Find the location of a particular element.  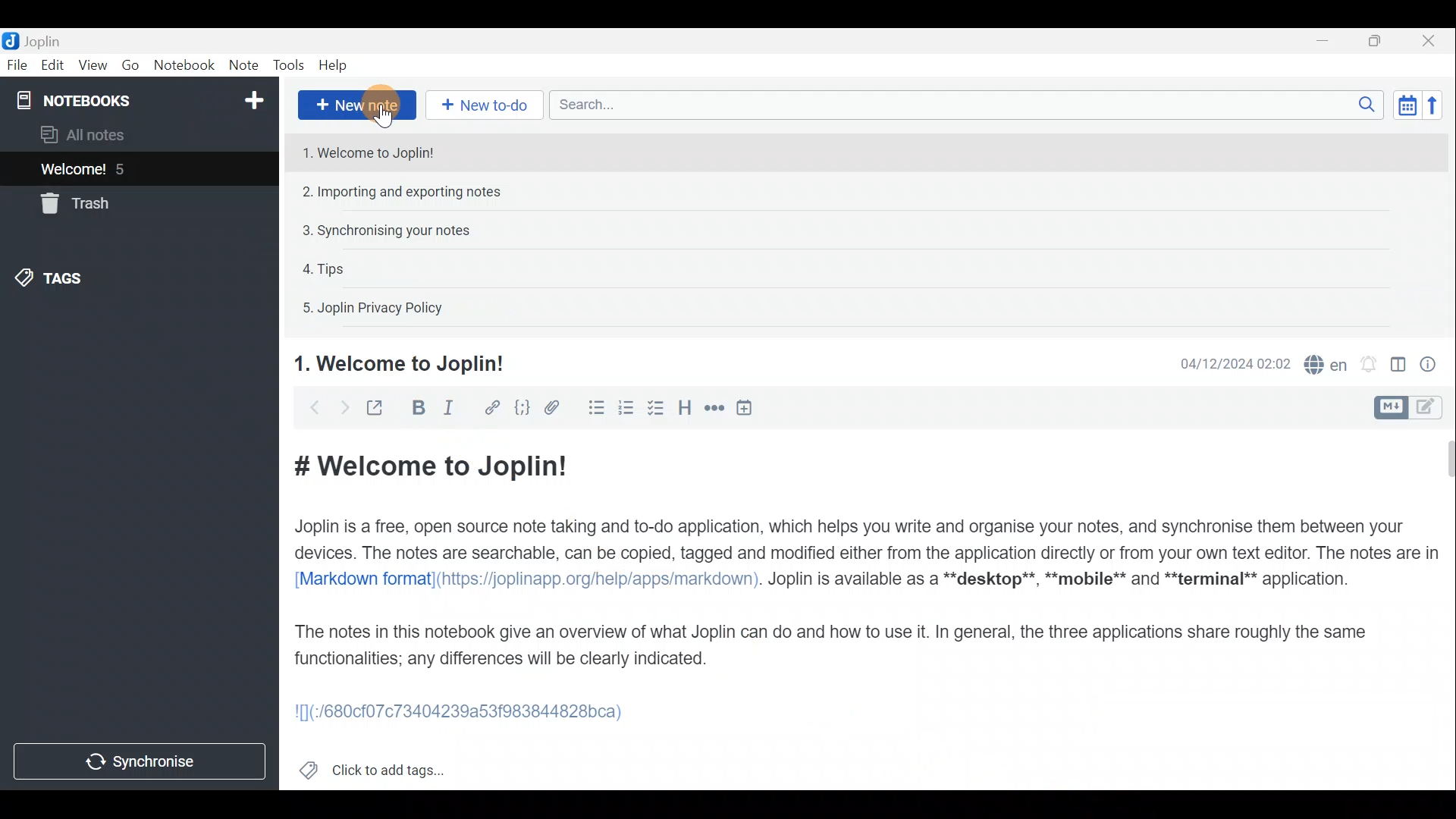

Search bar is located at coordinates (962, 104).